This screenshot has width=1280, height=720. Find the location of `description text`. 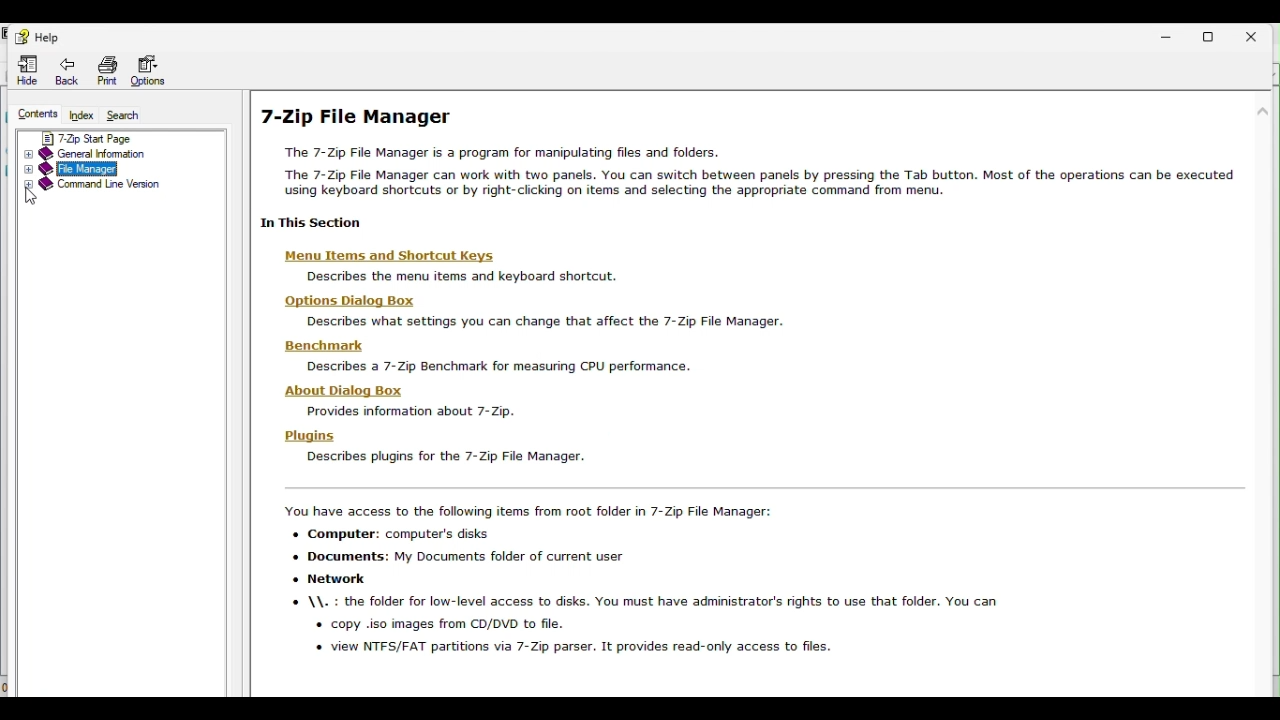

description text is located at coordinates (439, 458).